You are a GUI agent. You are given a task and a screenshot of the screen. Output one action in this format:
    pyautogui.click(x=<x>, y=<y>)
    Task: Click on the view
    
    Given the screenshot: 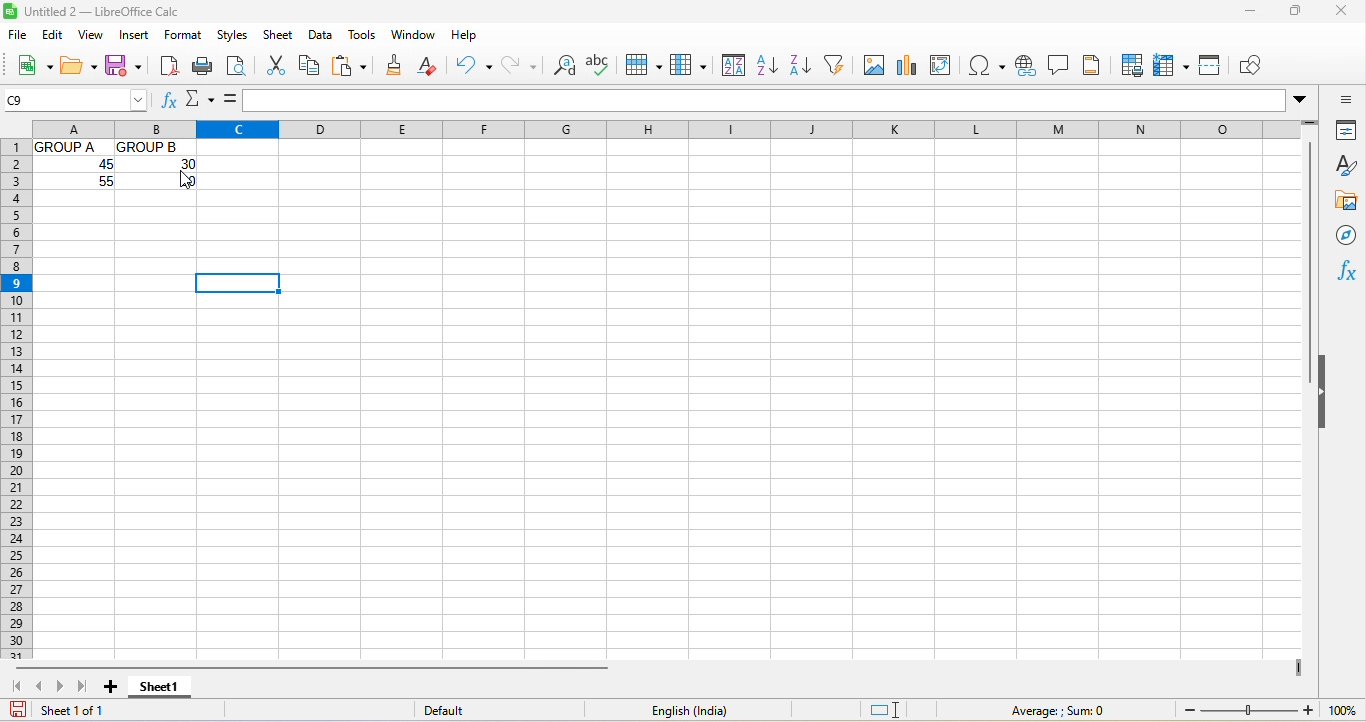 What is the action you would take?
    pyautogui.click(x=94, y=36)
    